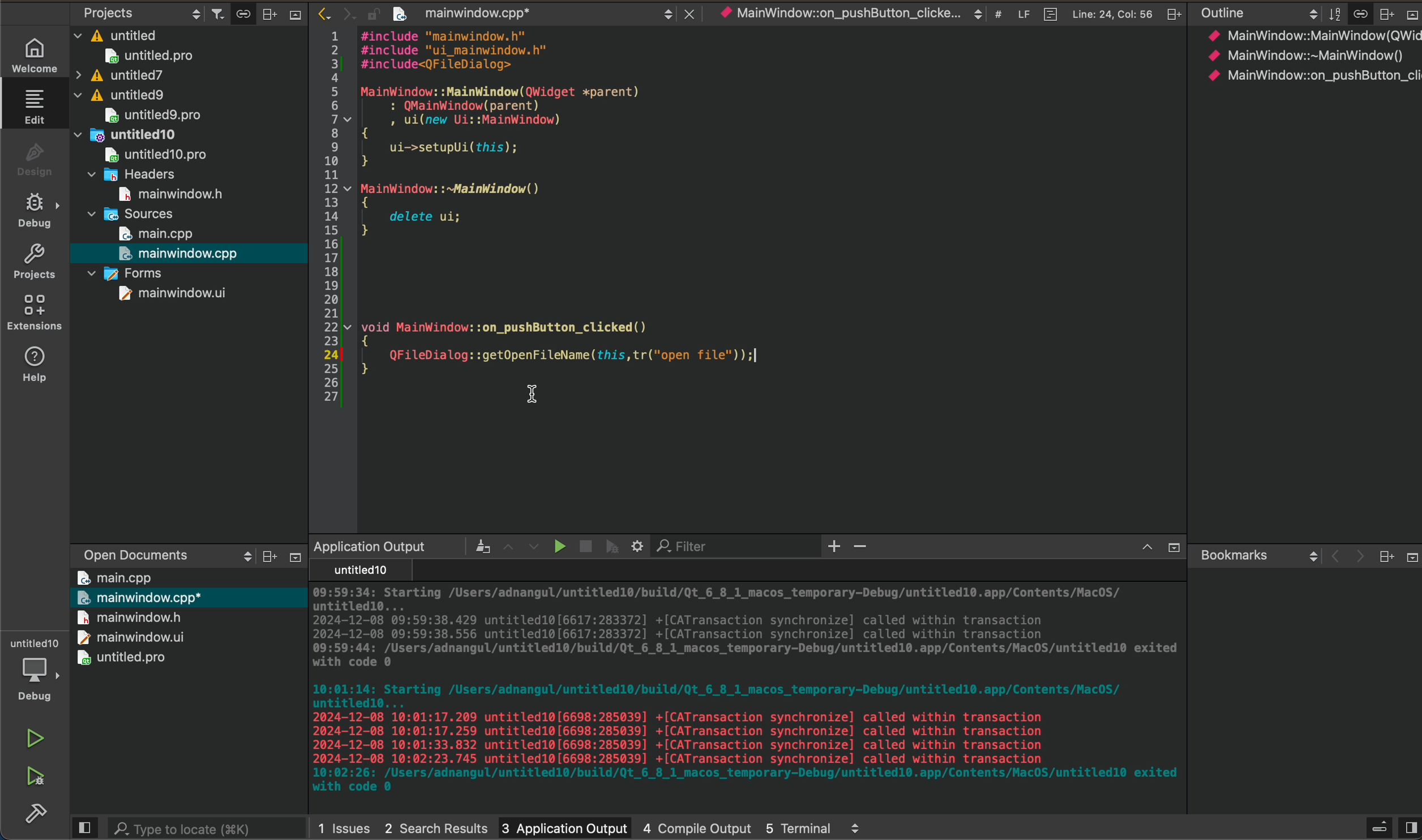 The height and width of the screenshot is (840, 1422). What do you see at coordinates (1356, 558) in the screenshot?
I see `next` at bounding box center [1356, 558].